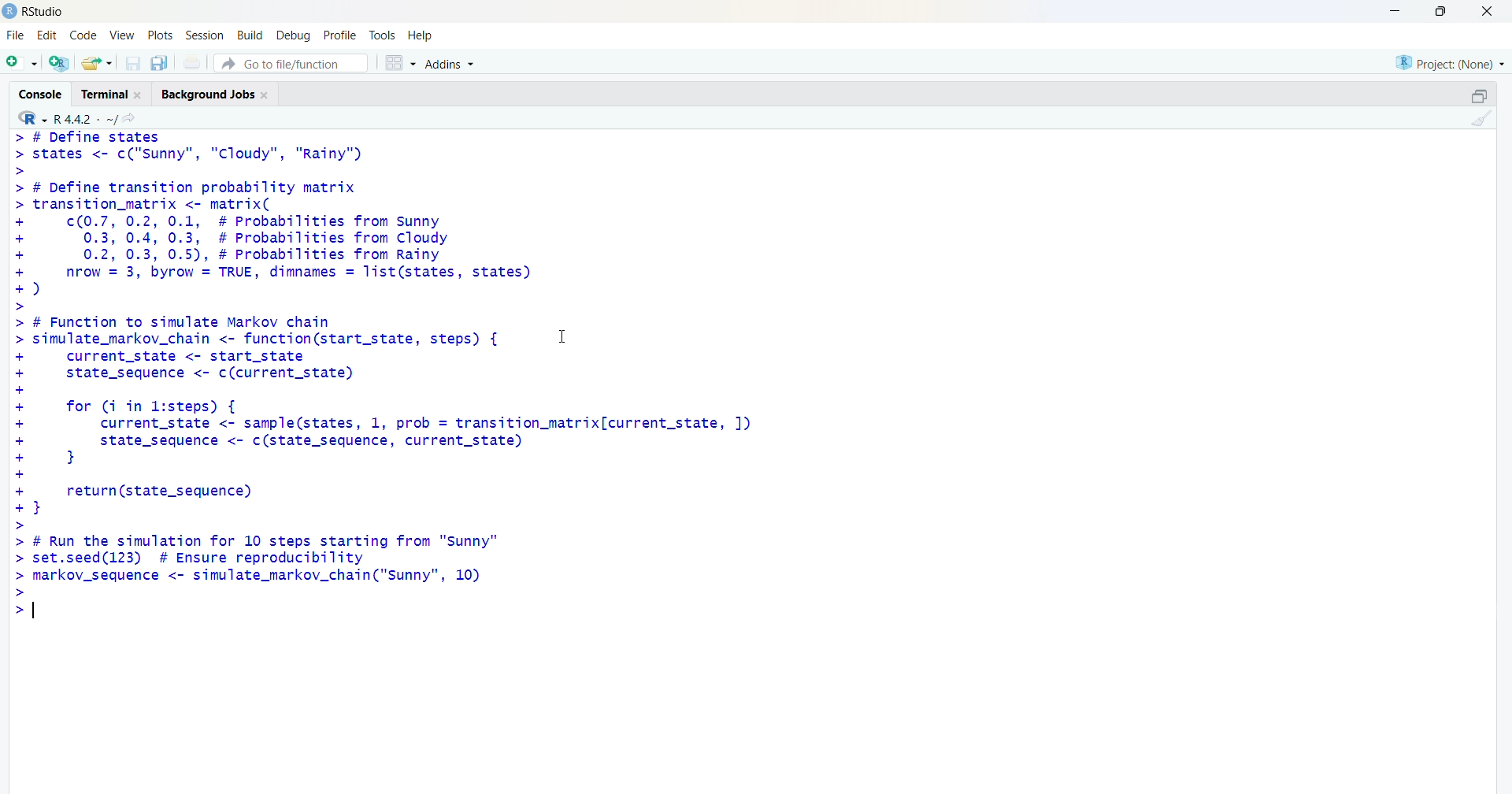 The height and width of the screenshot is (794, 1512). Describe the element at coordinates (68, 117) in the screenshot. I see `R 4.4.2` at that location.